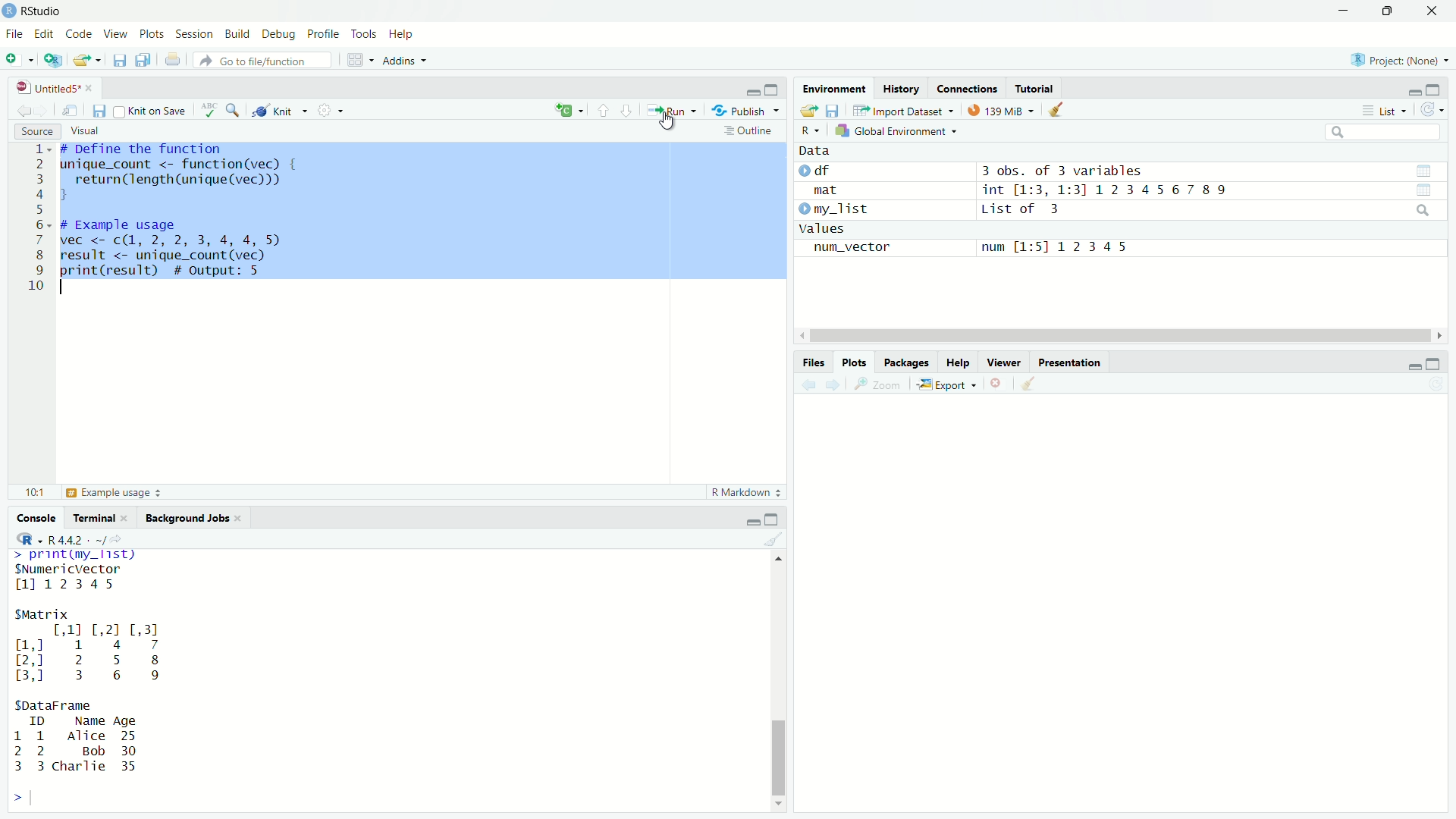 The width and height of the screenshot is (1456, 819). Describe the element at coordinates (742, 494) in the screenshot. I see `R Markdown` at that location.